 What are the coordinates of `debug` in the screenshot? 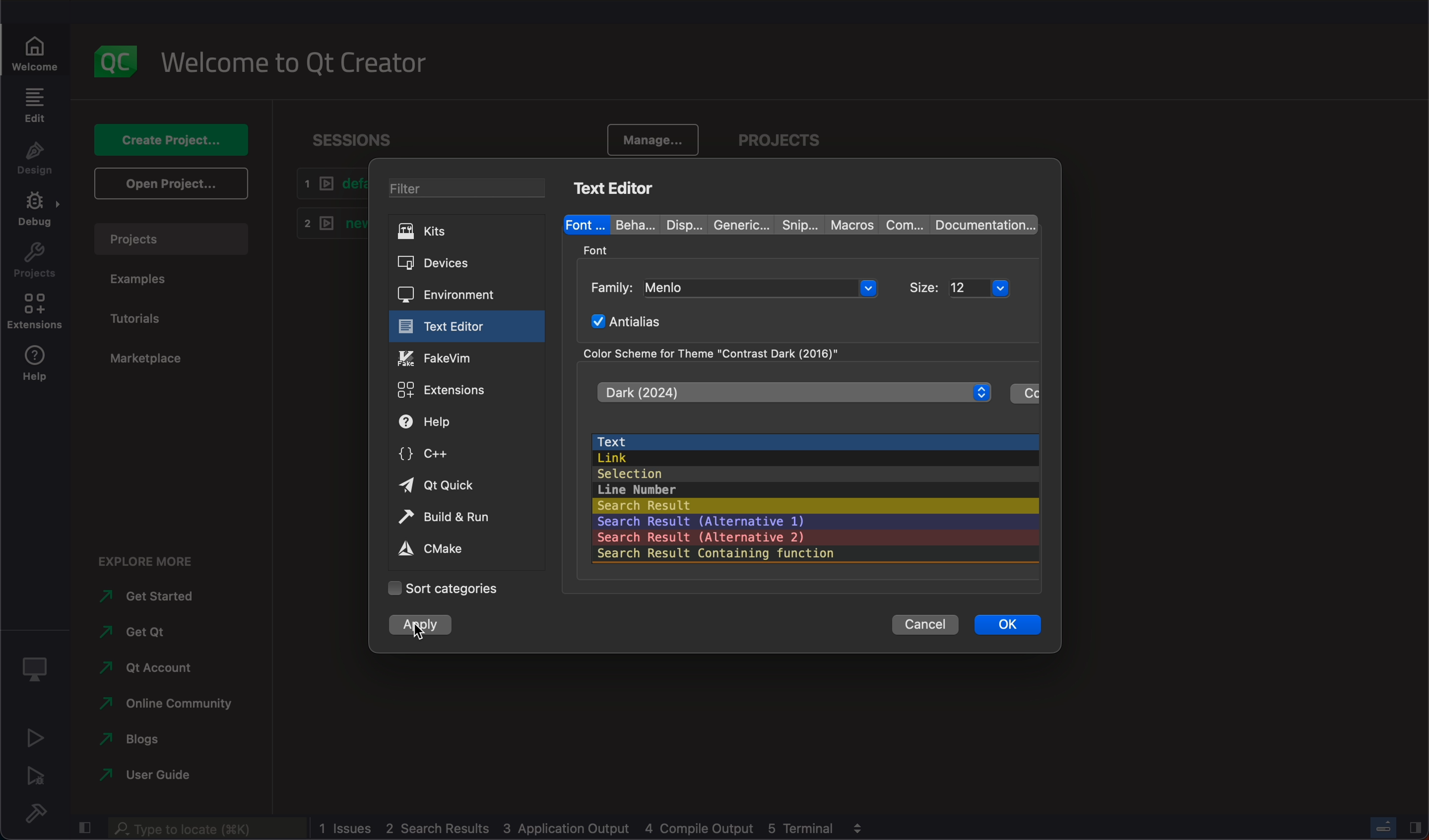 It's located at (34, 213).